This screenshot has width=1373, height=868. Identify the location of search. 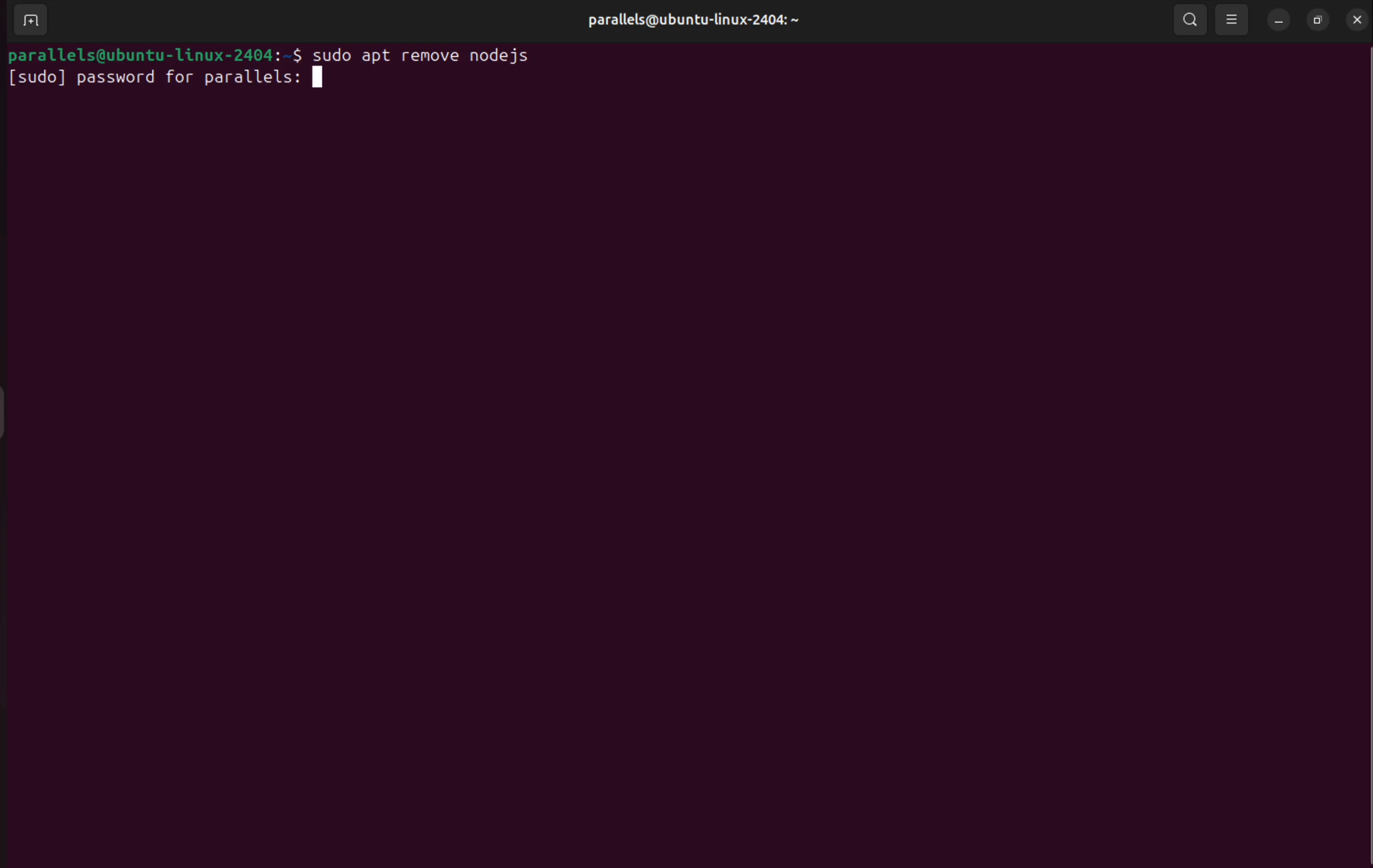
(1191, 20).